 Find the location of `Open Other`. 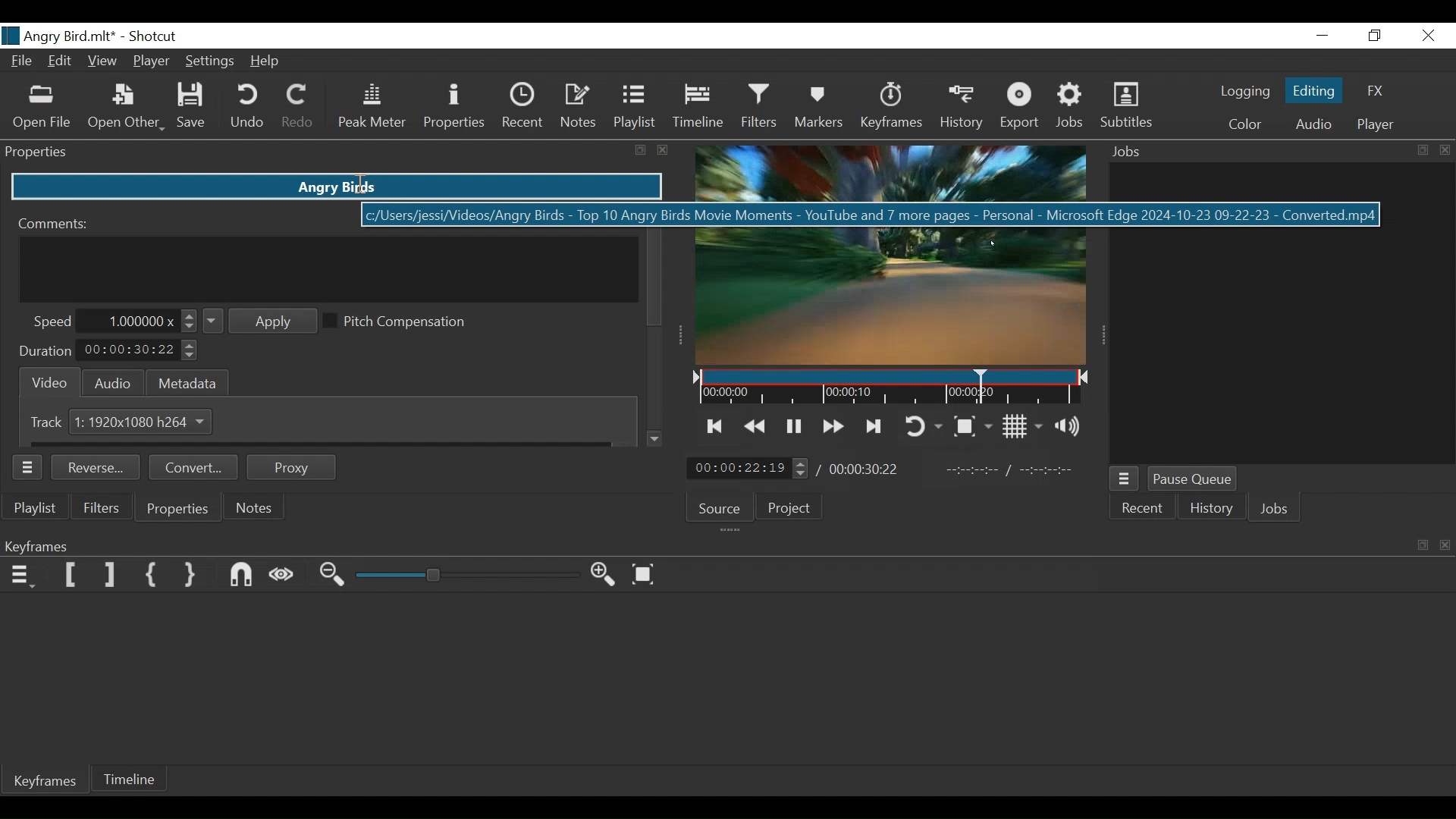

Open Other is located at coordinates (127, 108).